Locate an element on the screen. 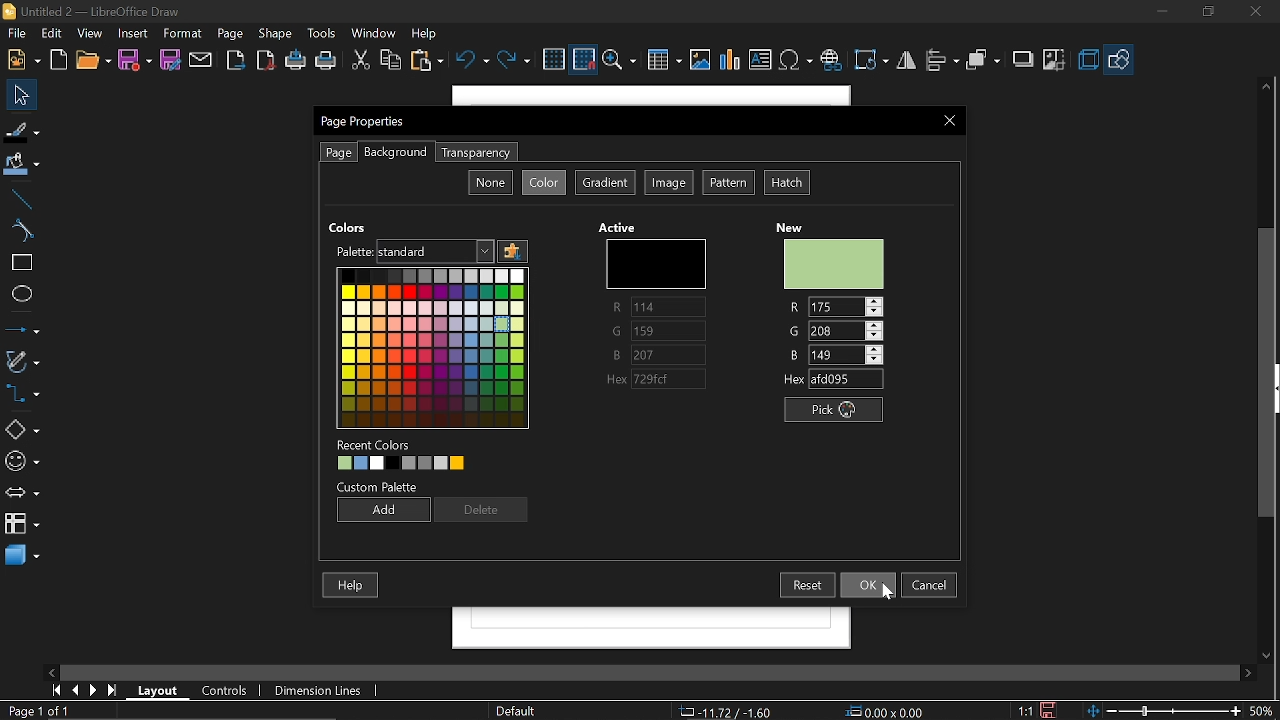 This screenshot has height=720, width=1280. Select is located at coordinates (22, 95).